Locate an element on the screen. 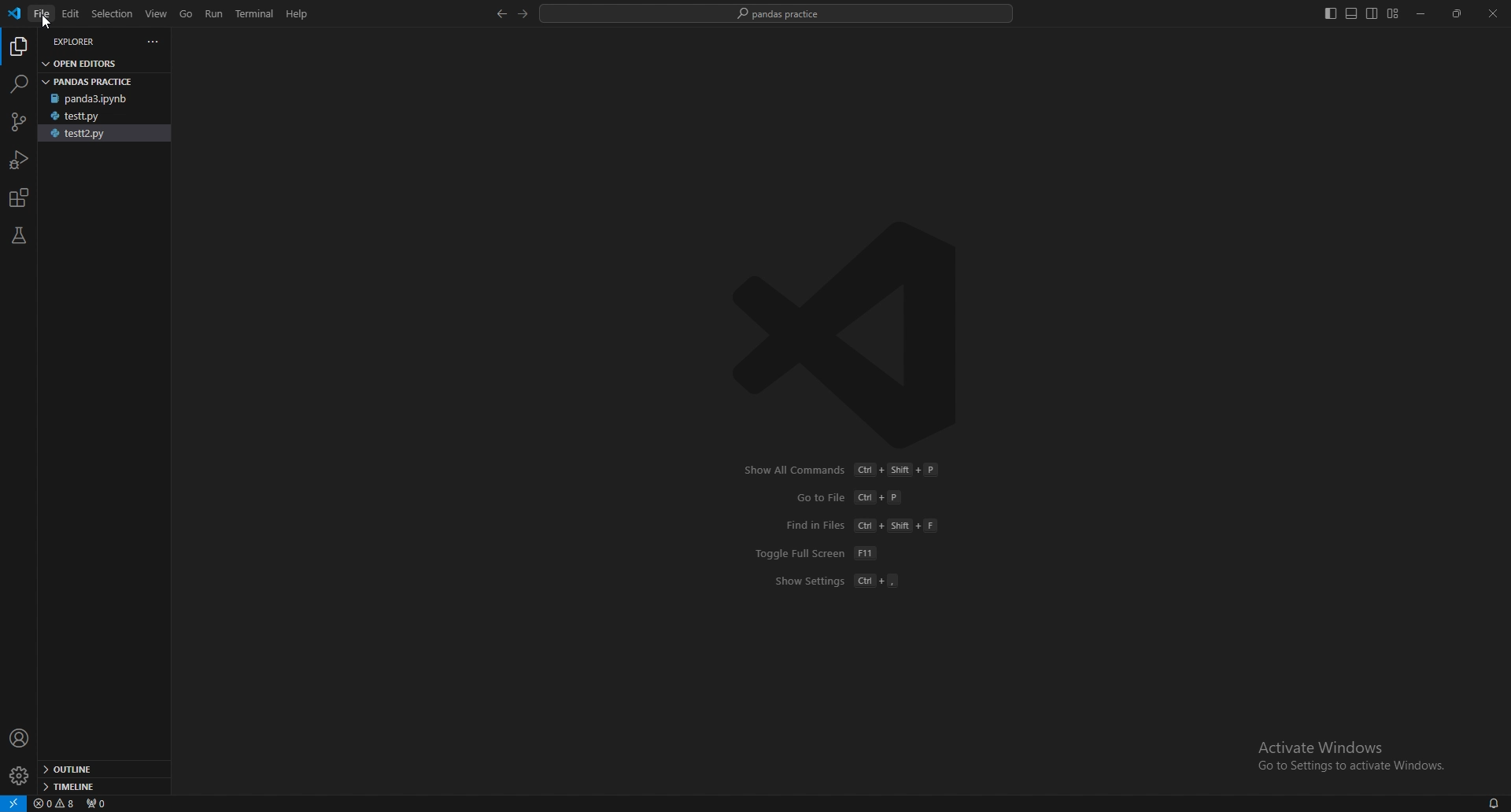  toggle panel is located at coordinates (1351, 14).